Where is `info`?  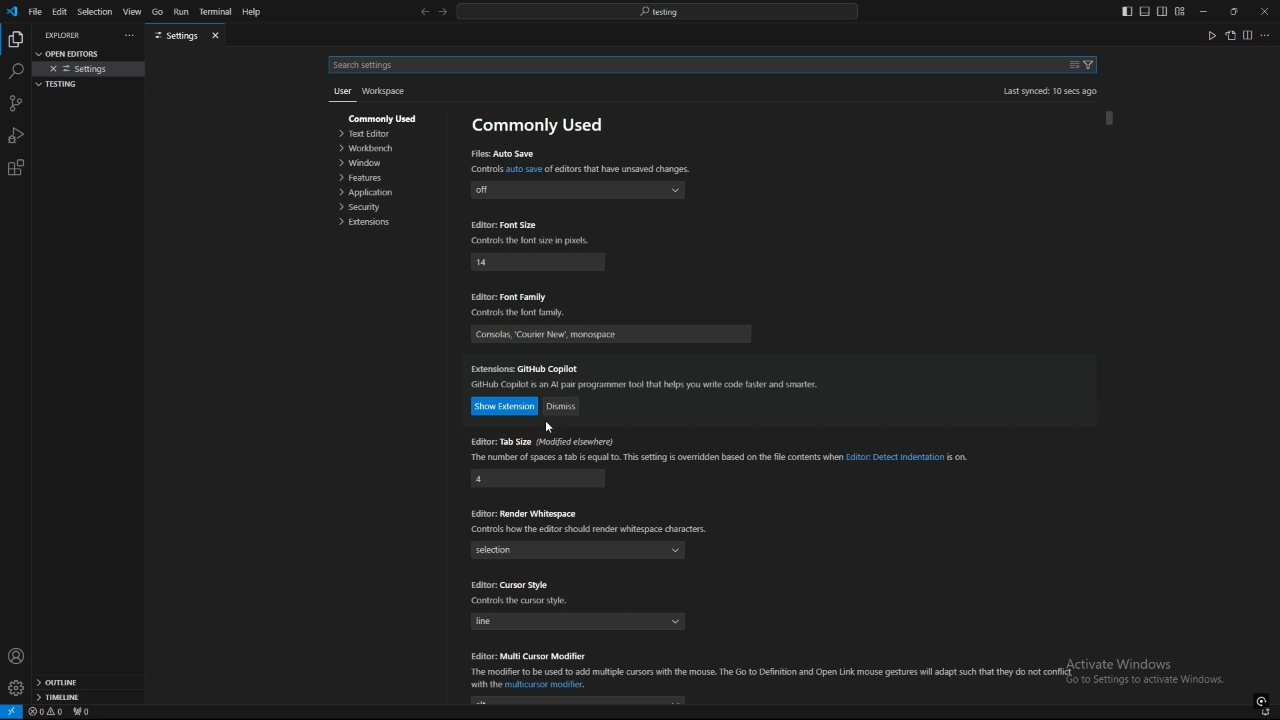
info is located at coordinates (587, 530).